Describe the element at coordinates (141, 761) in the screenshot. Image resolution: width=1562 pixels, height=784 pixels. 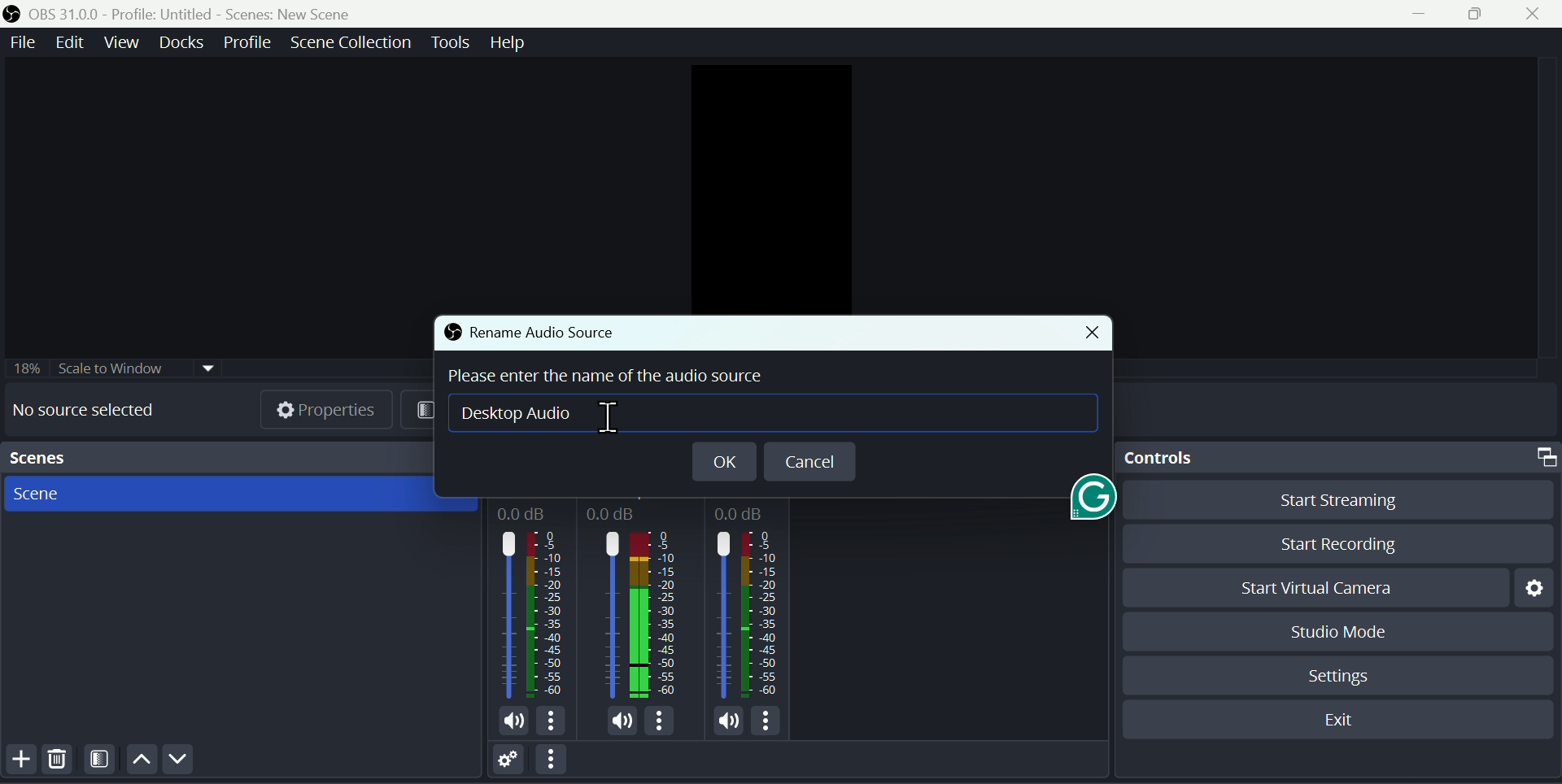
I see `Up` at that location.